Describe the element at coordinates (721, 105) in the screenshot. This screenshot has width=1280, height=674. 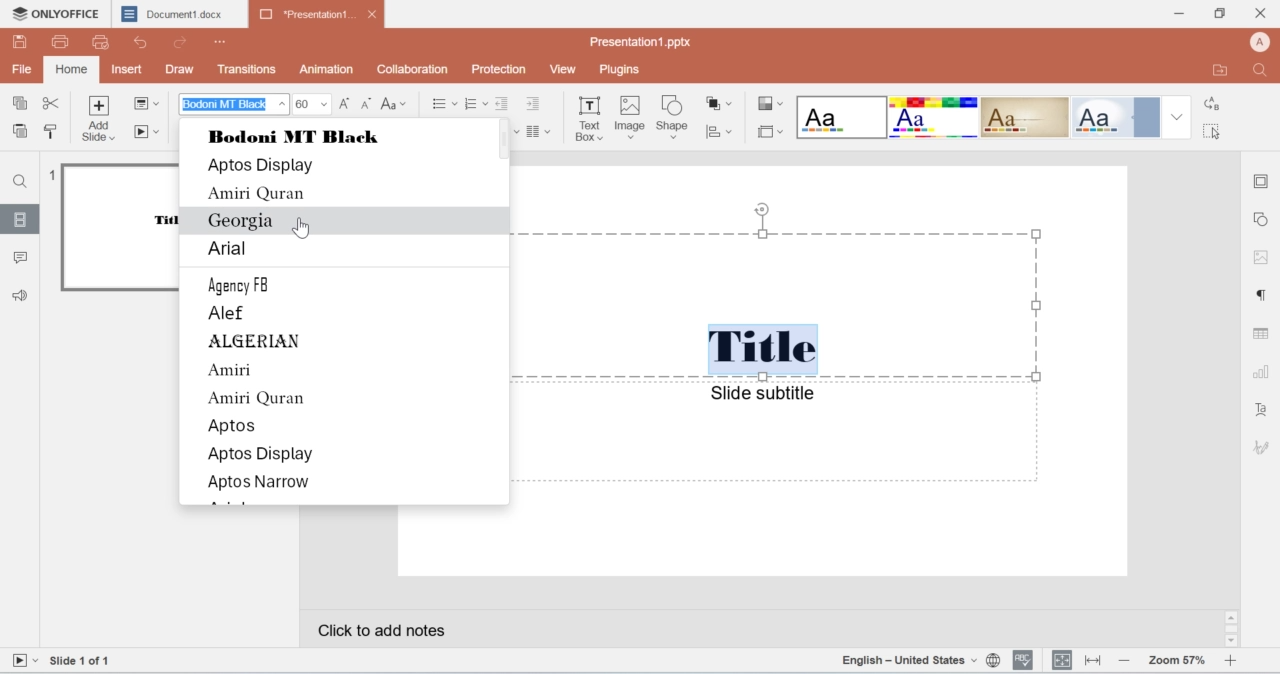
I see `shapes` at that location.